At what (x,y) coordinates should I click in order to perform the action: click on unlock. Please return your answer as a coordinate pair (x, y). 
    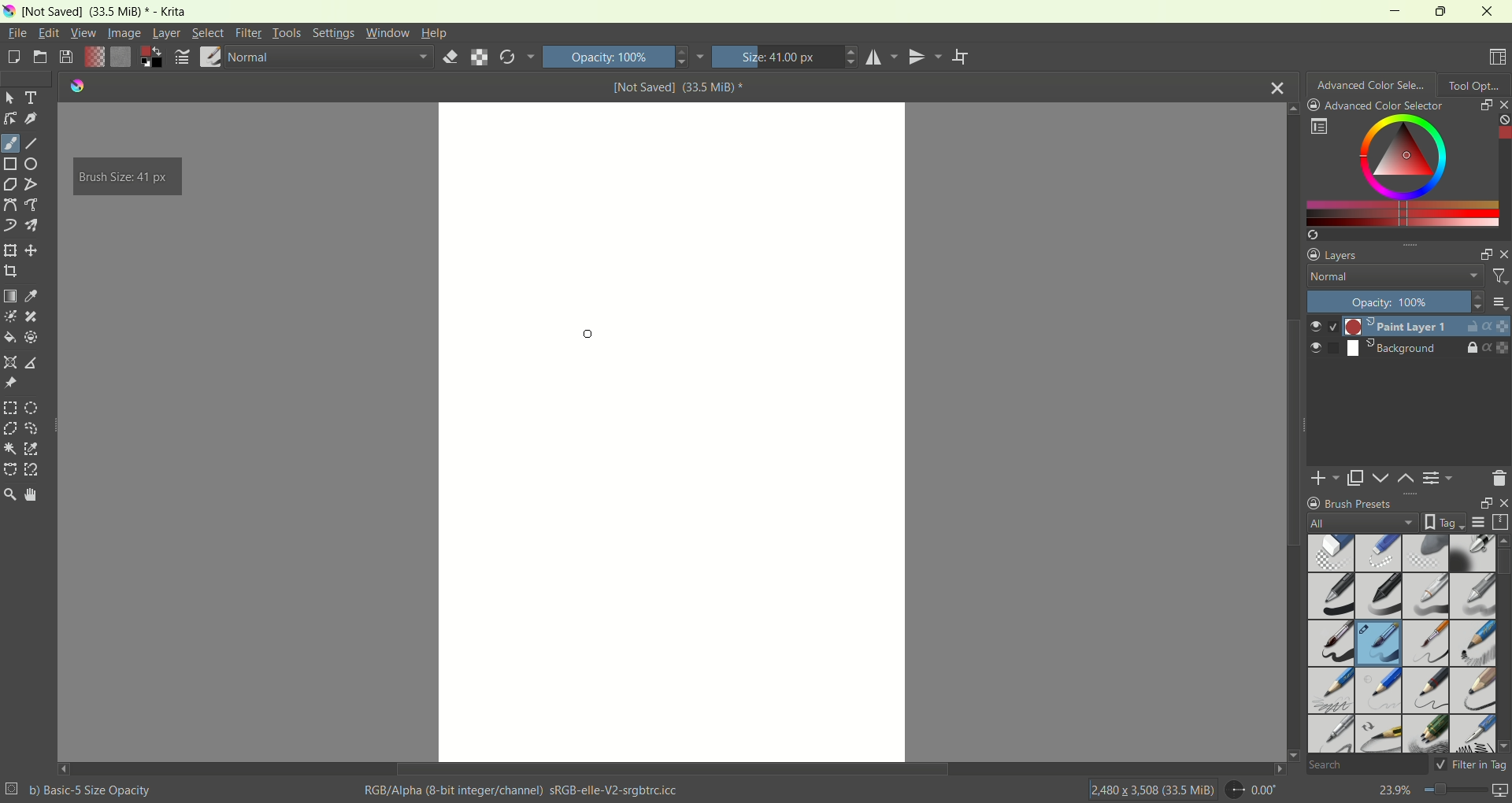
    Looking at the image, I should click on (1469, 327).